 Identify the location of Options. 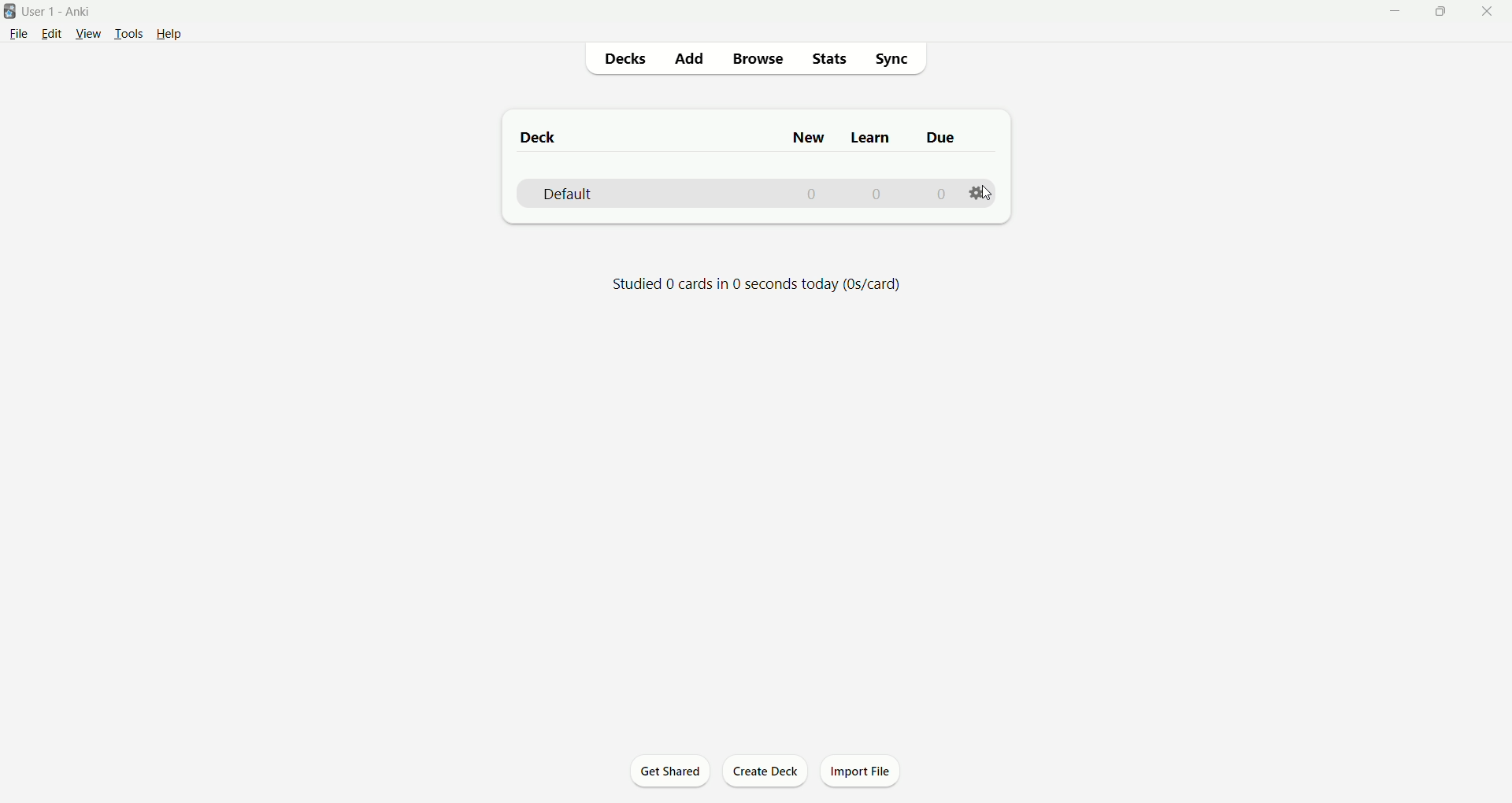
(977, 191).